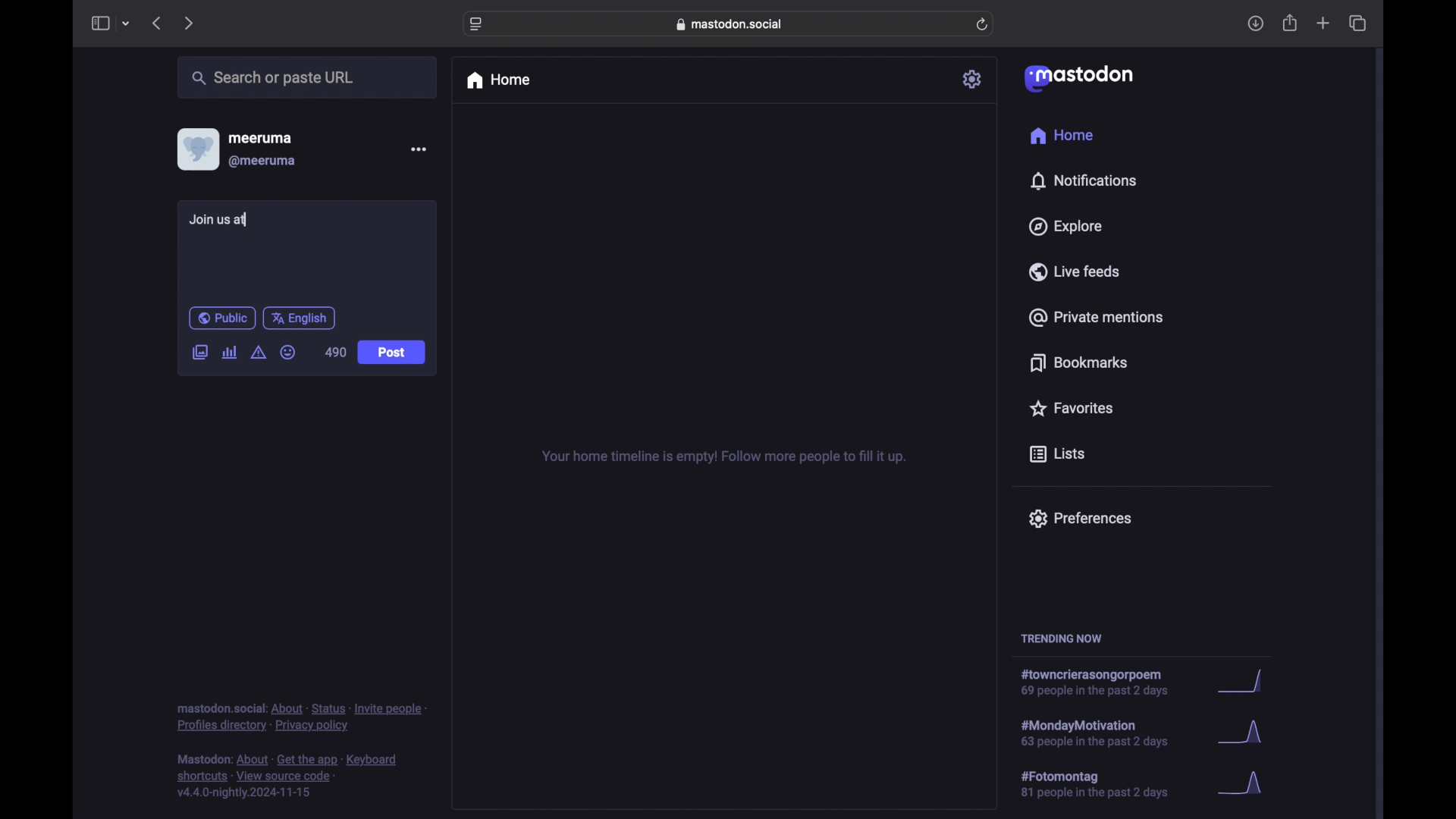 Image resolution: width=1456 pixels, height=819 pixels. What do you see at coordinates (1083, 180) in the screenshot?
I see `notifications` at bounding box center [1083, 180].